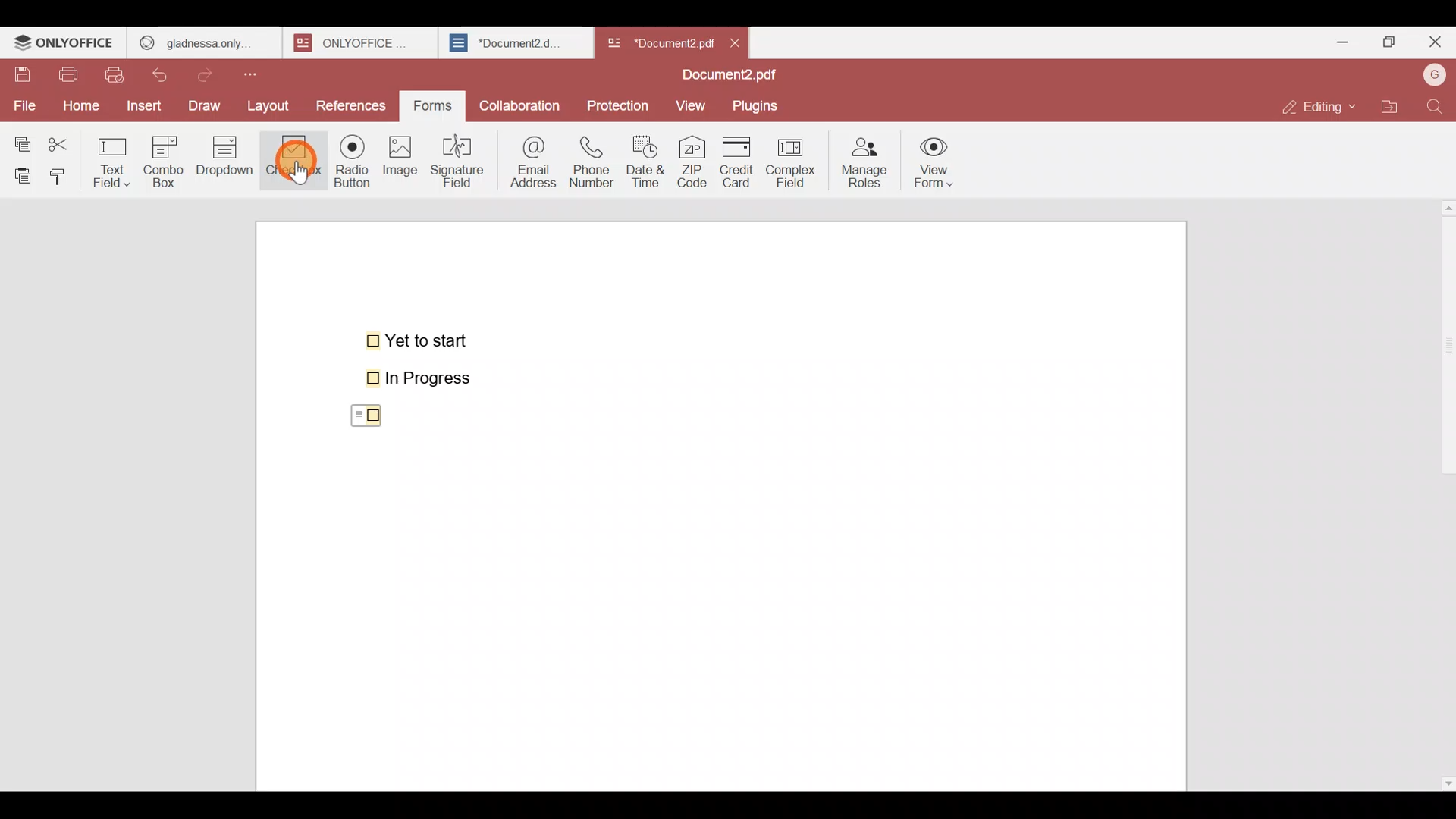 This screenshot has width=1456, height=819. Describe the element at coordinates (1336, 39) in the screenshot. I see `Minimize` at that location.